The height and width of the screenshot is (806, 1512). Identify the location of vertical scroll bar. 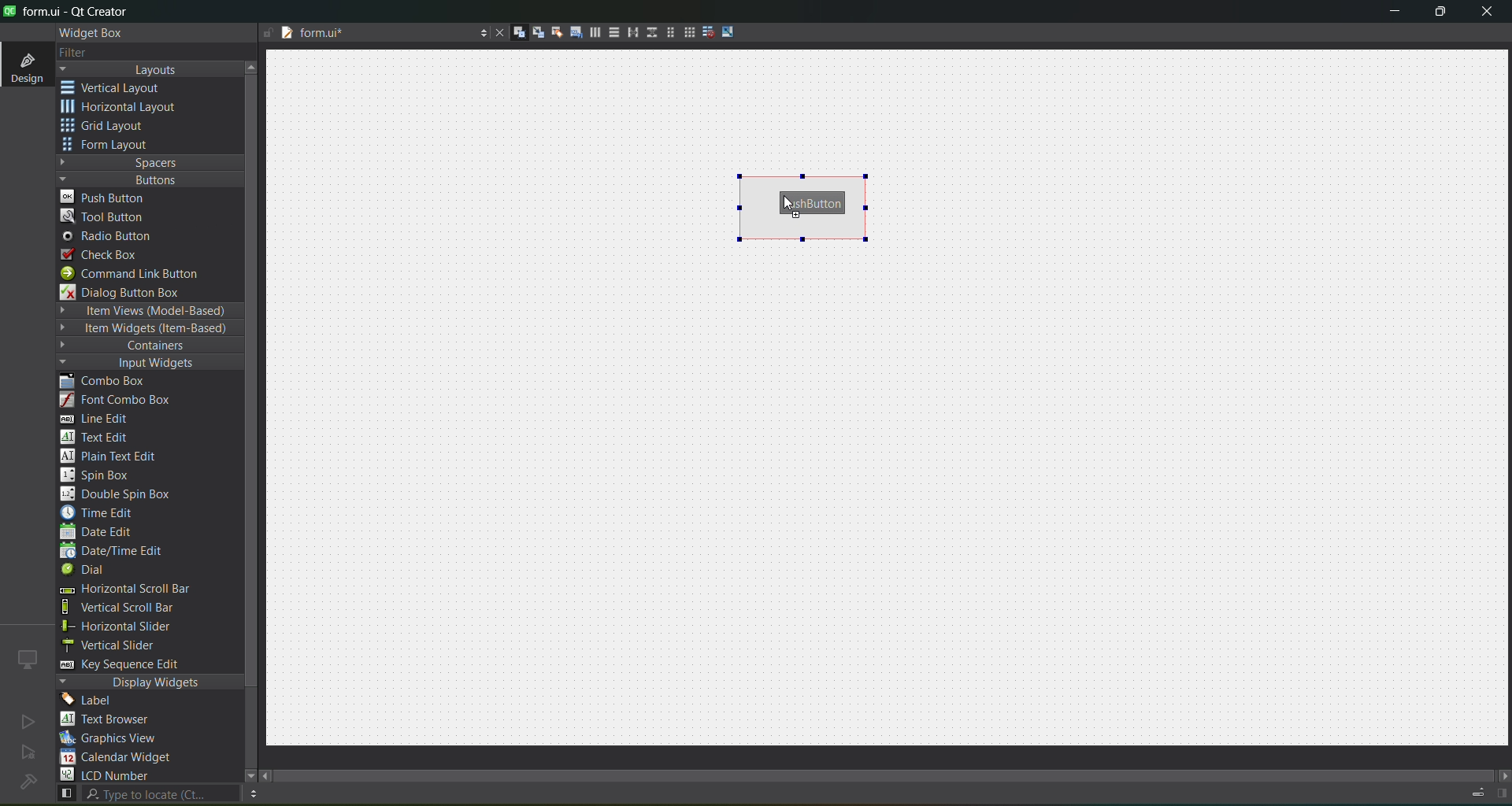
(135, 608).